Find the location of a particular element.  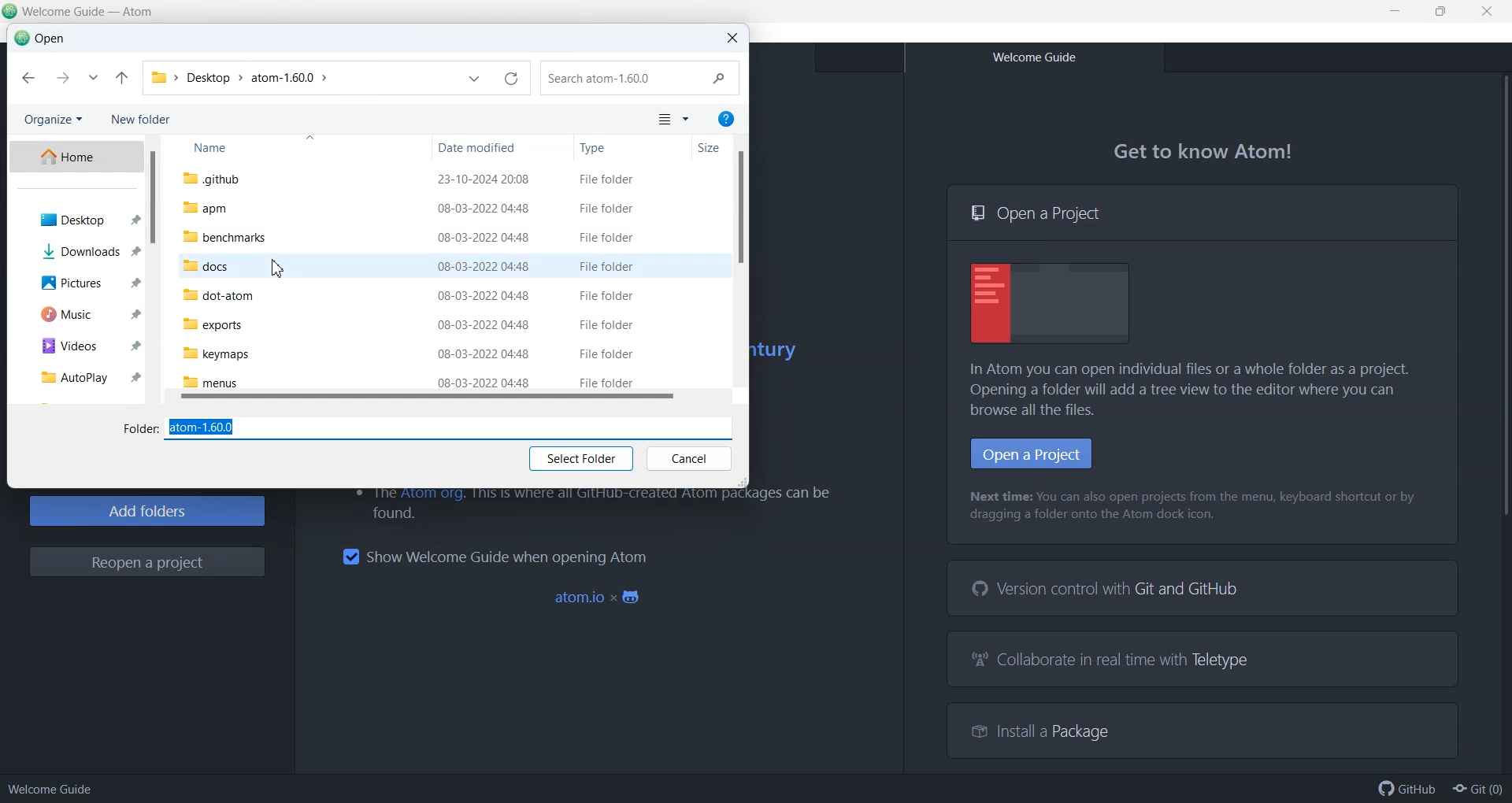

Previous Location is located at coordinates (475, 80).